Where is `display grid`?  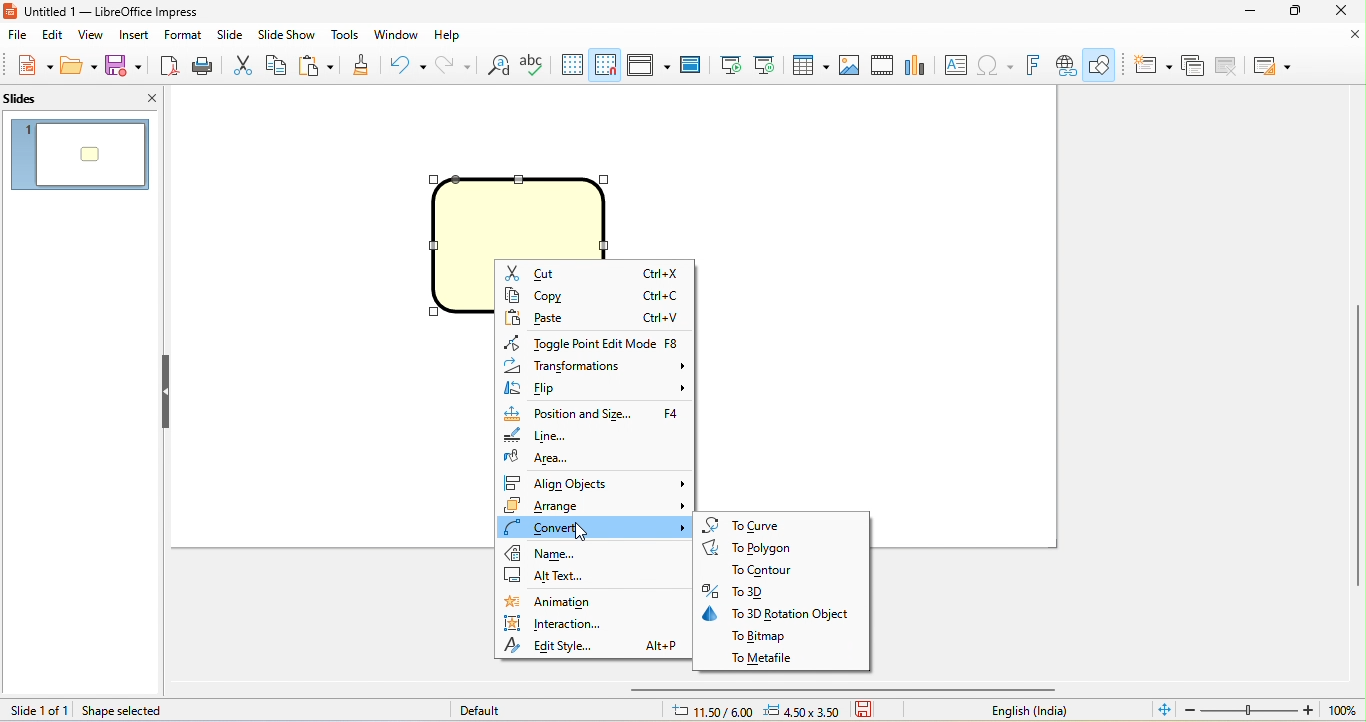 display grid is located at coordinates (572, 63).